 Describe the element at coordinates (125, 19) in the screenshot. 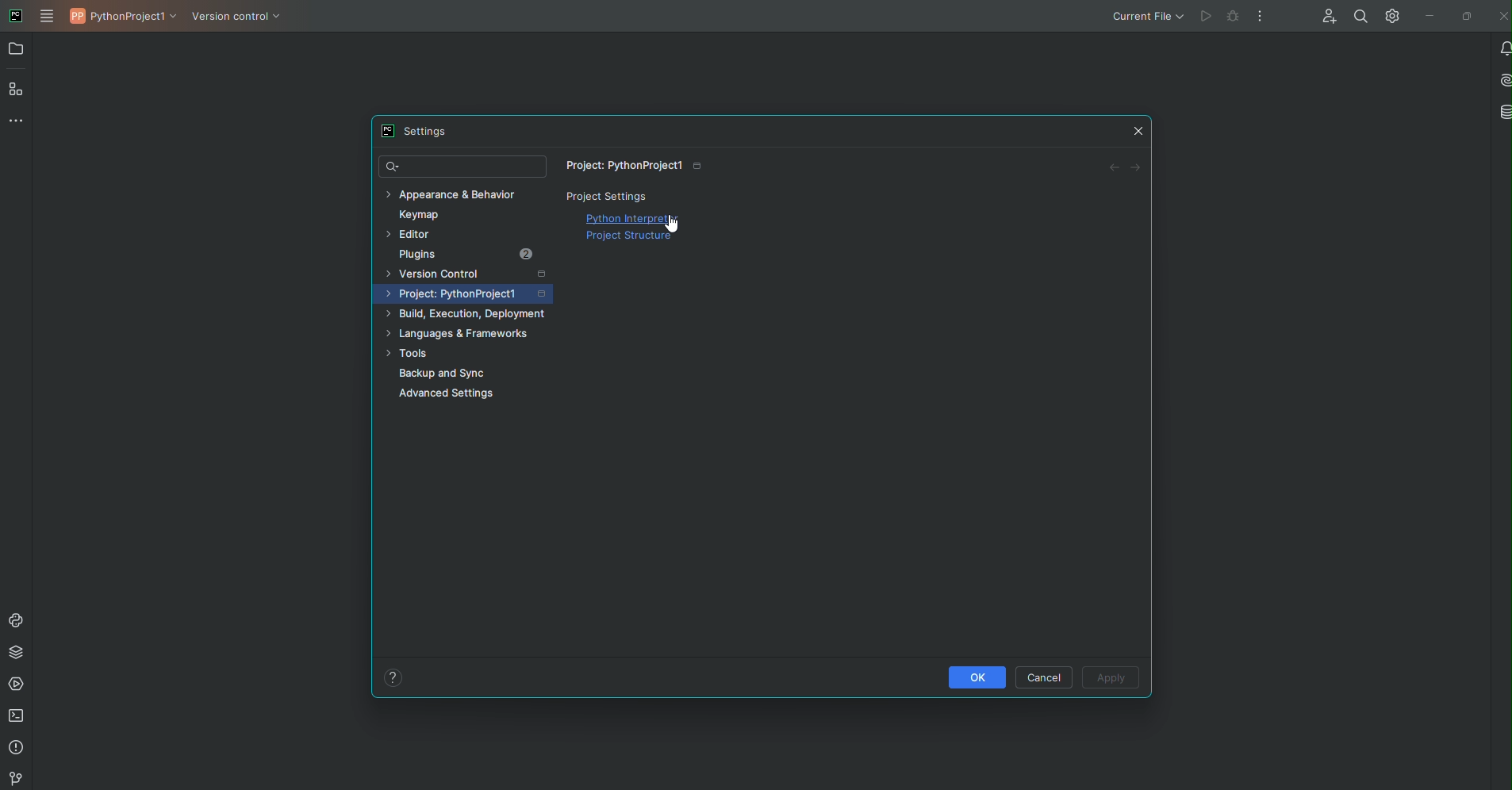

I see `PythonProject1` at that location.